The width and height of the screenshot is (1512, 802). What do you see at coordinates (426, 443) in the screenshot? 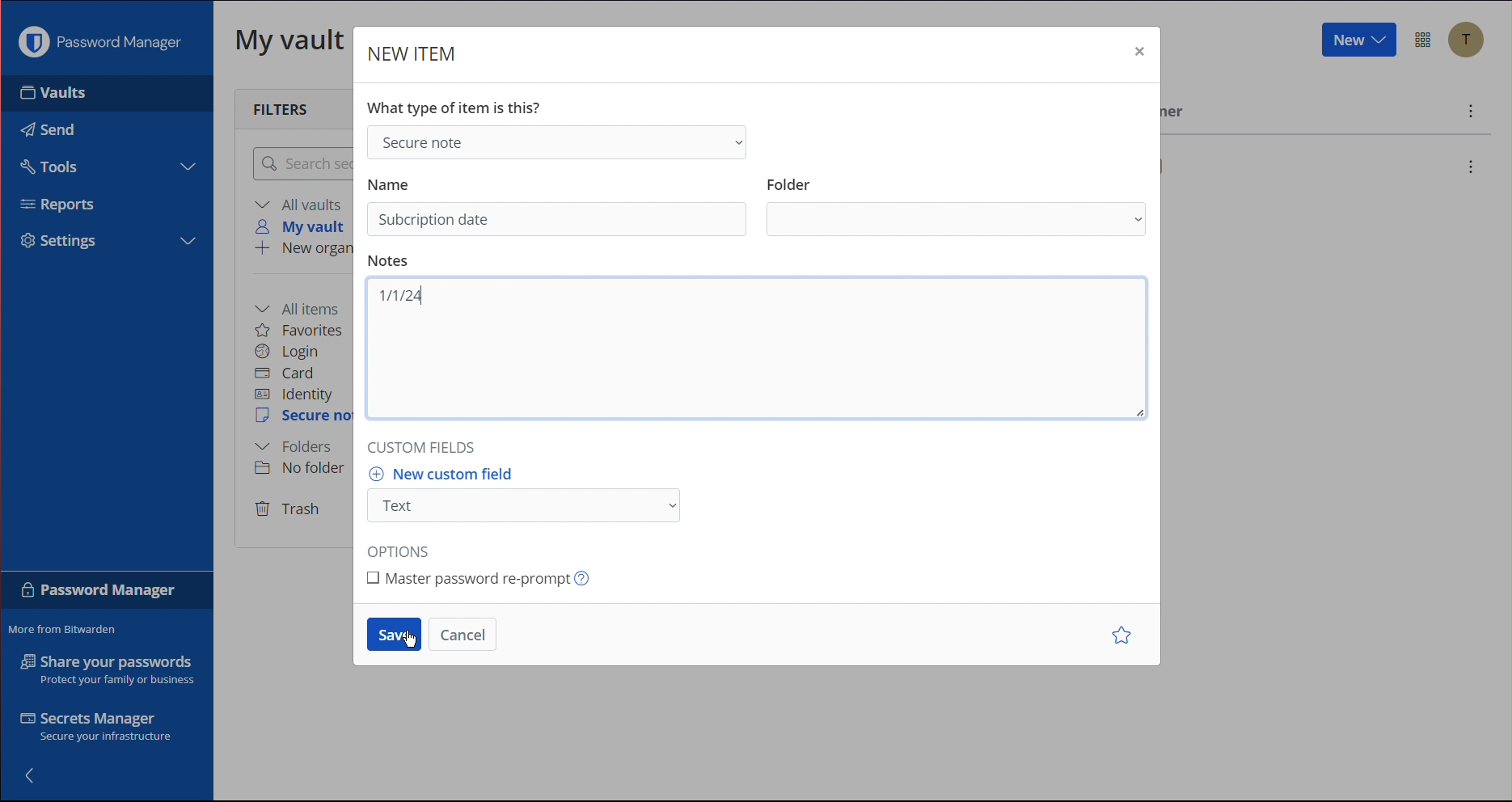
I see `Custom Fields` at bounding box center [426, 443].